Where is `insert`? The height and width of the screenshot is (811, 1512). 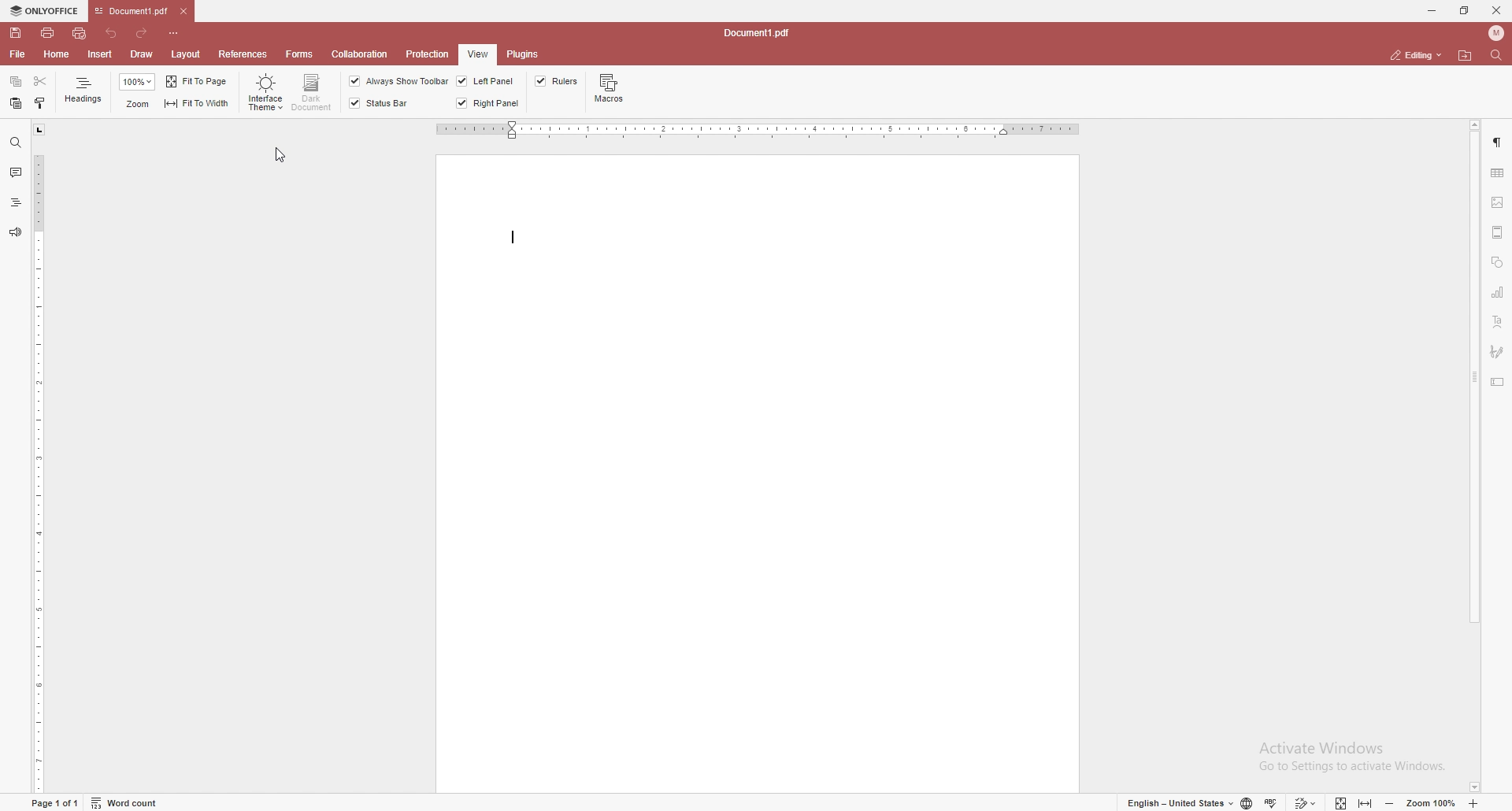
insert is located at coordinates (100, 54).